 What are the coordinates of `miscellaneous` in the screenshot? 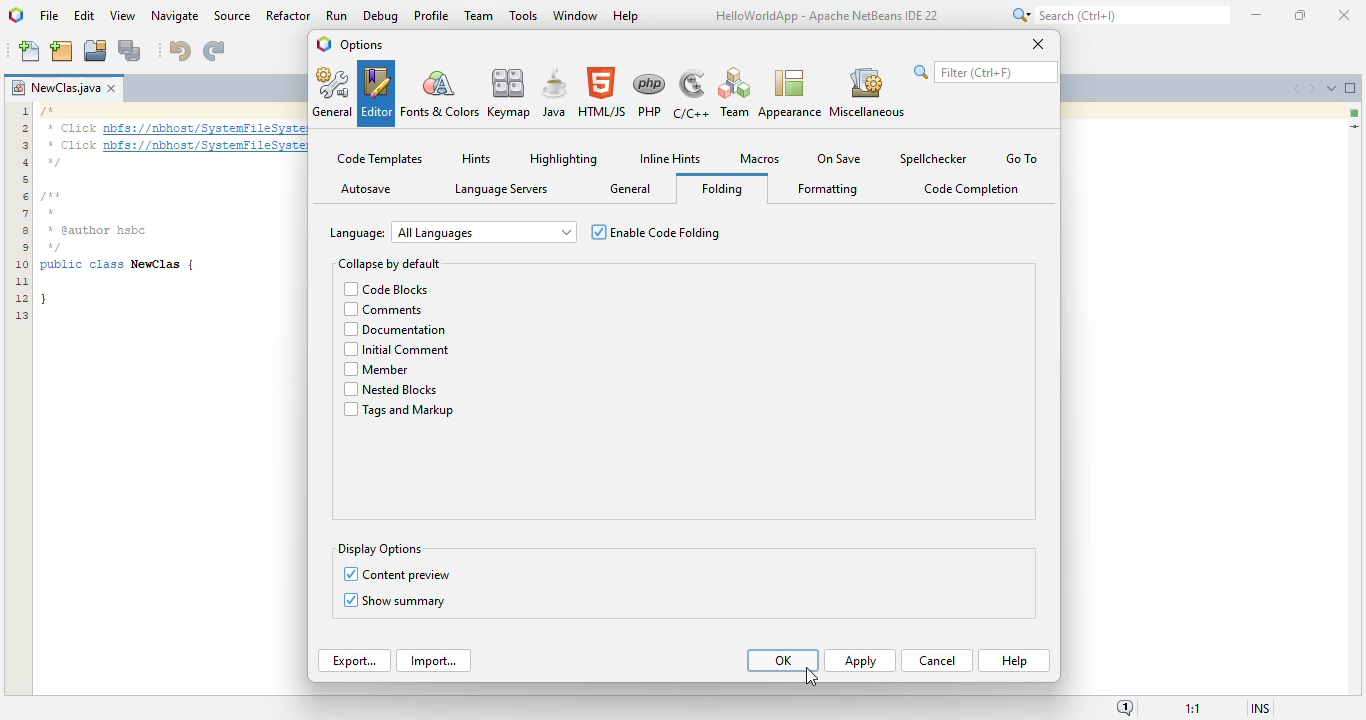 It's located at (867, 92).